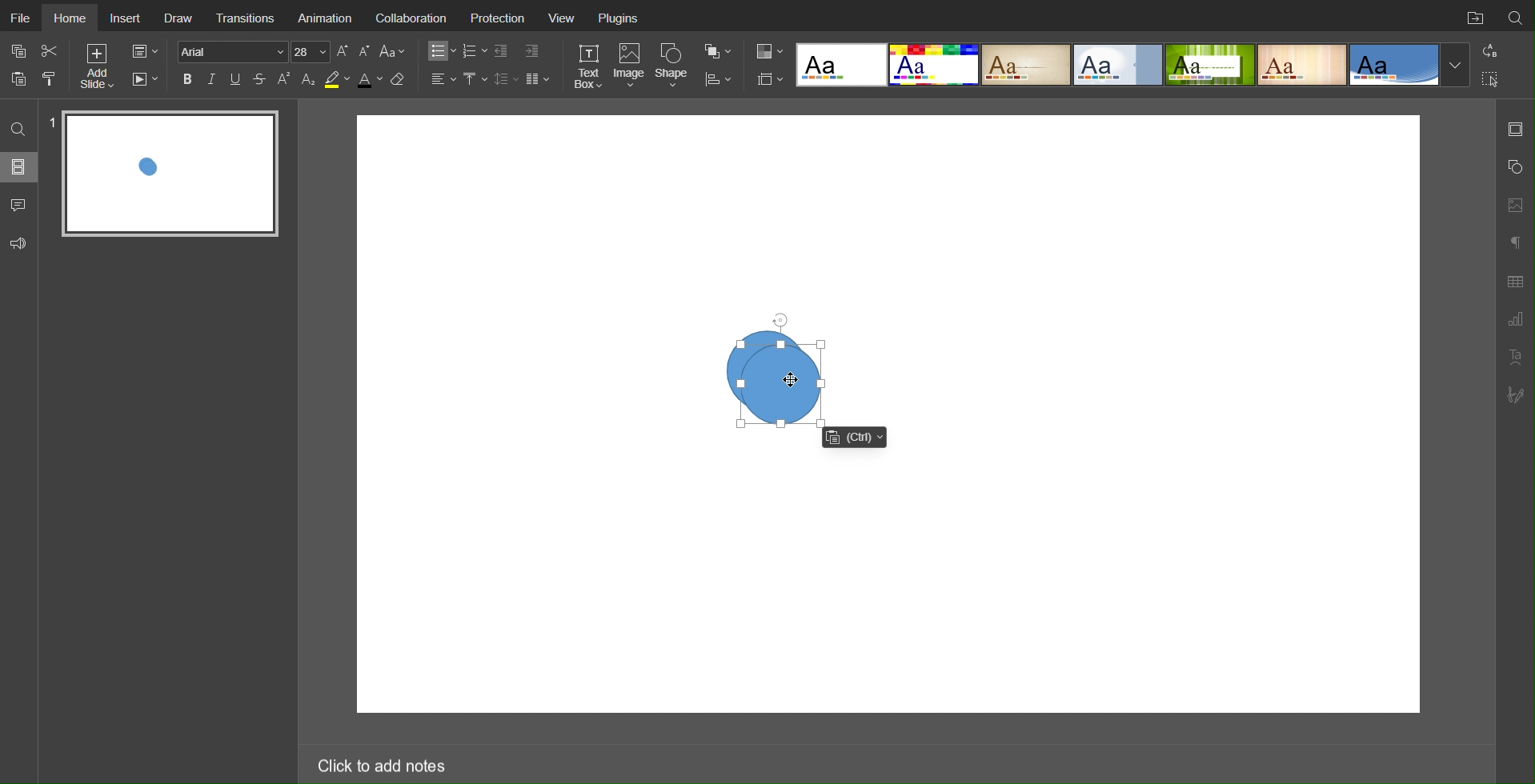 The width and height of the screenshot is (1535, 784). Describe the element at coordinates (1514, 203) in the screenshot. I see `Image Settings` at that location.